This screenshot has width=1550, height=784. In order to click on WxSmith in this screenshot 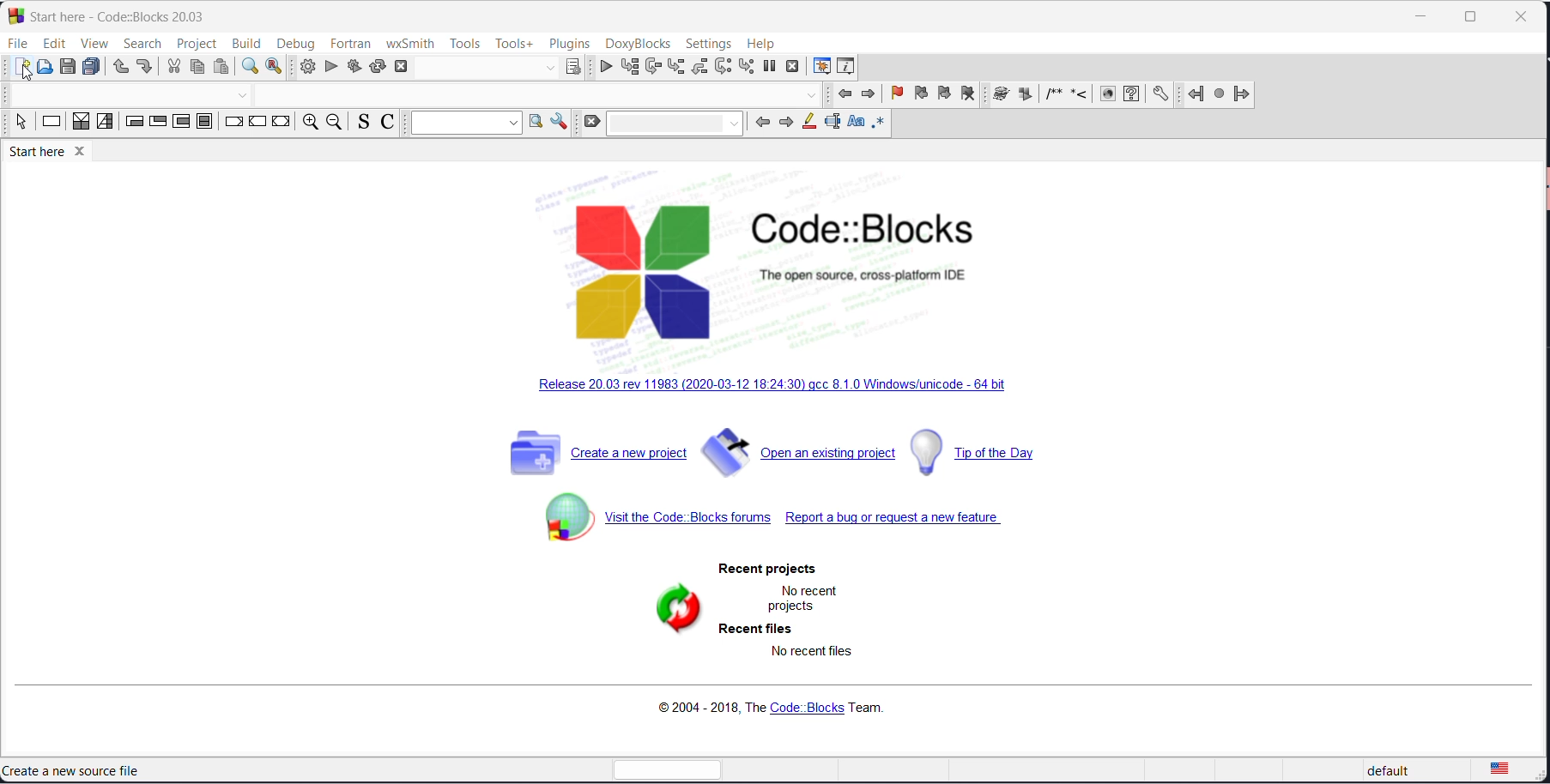, I will do `click(409, 41)`.